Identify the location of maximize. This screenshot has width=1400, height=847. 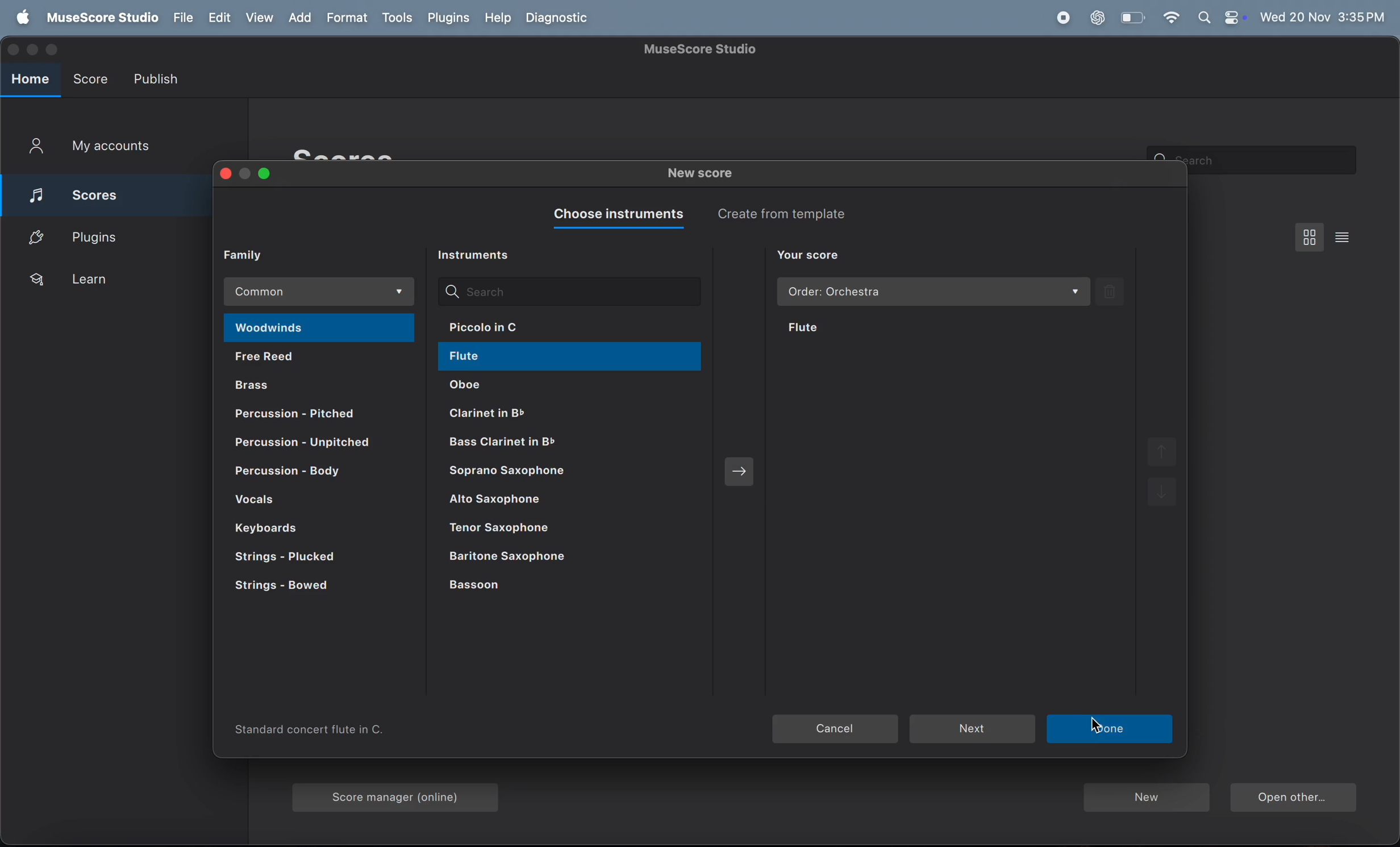
(266, 175).